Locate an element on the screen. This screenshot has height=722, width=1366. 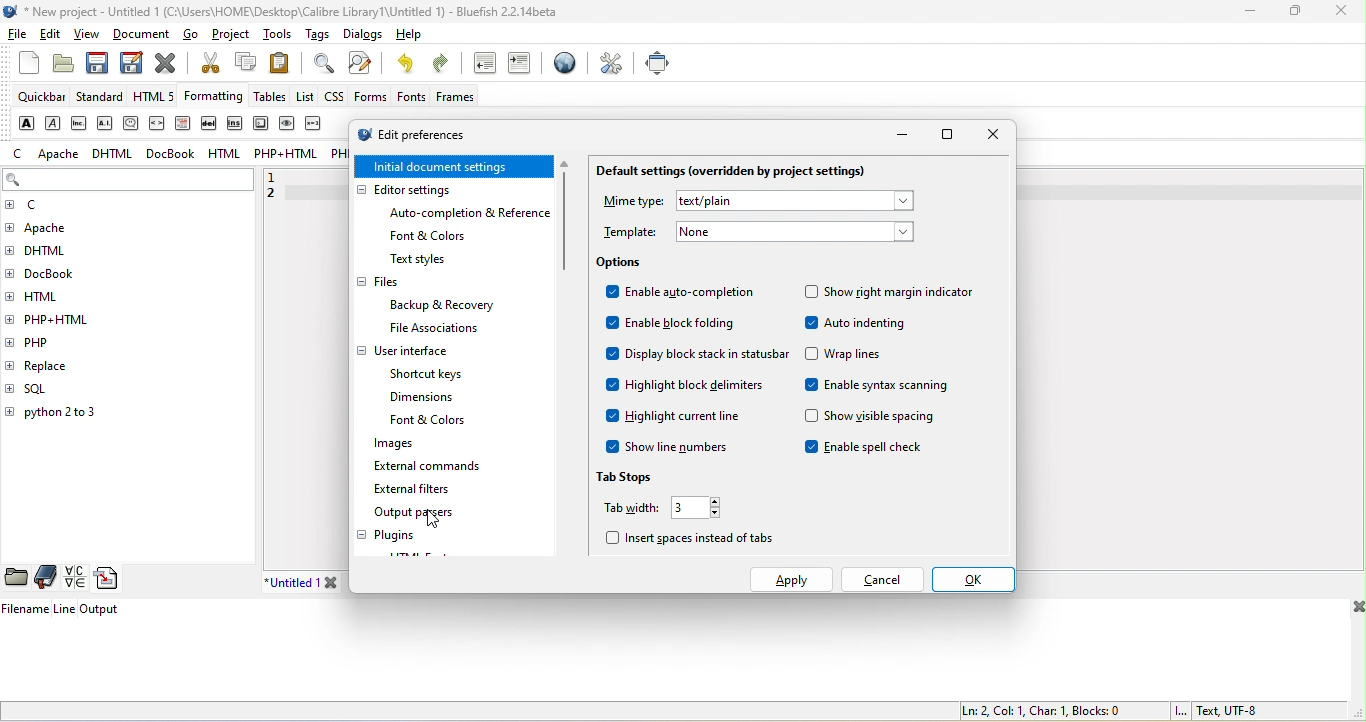
show visible spacing is located at coordinates (870, 416).